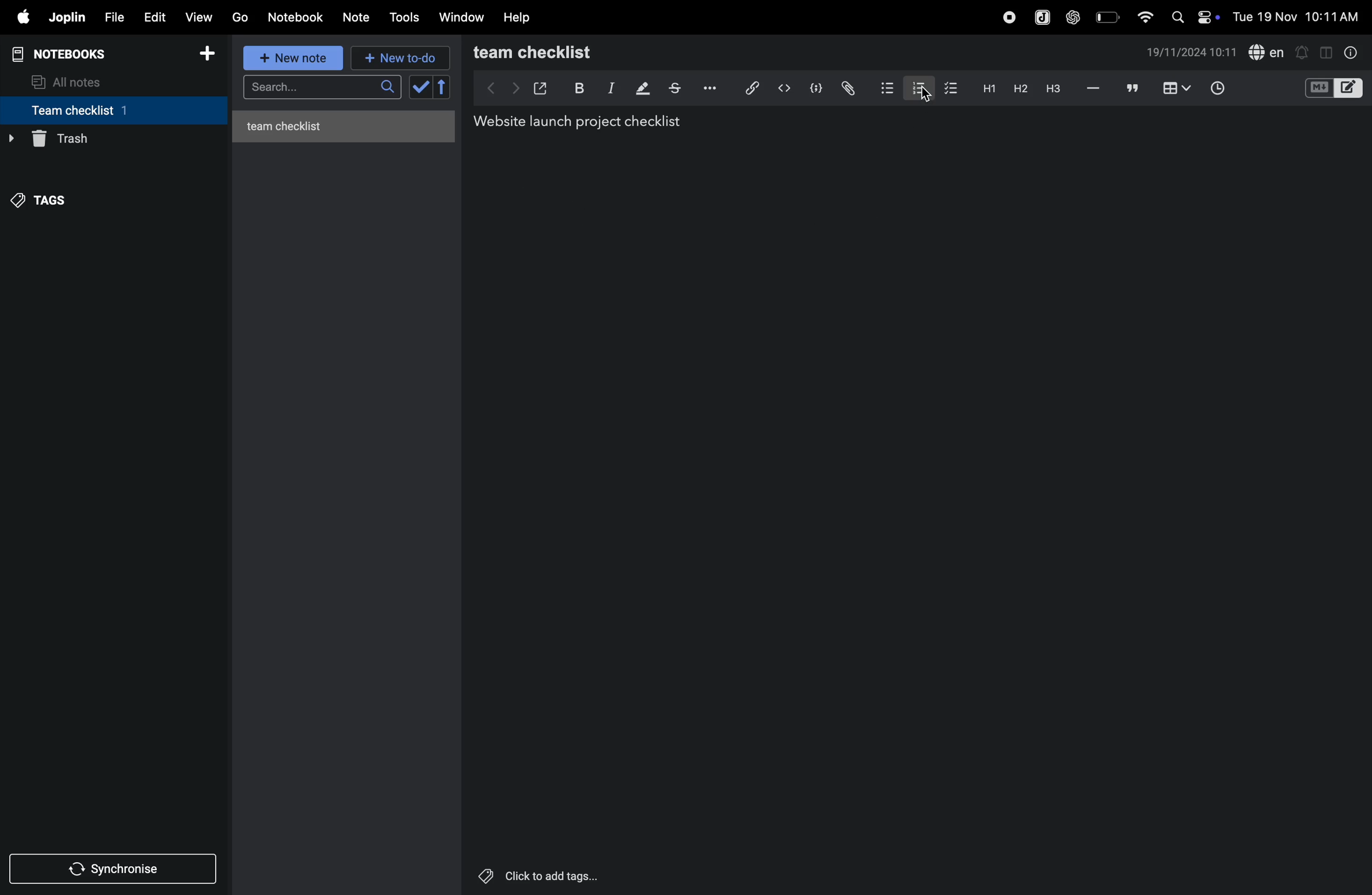  I want to click on note, so click(361, 16).